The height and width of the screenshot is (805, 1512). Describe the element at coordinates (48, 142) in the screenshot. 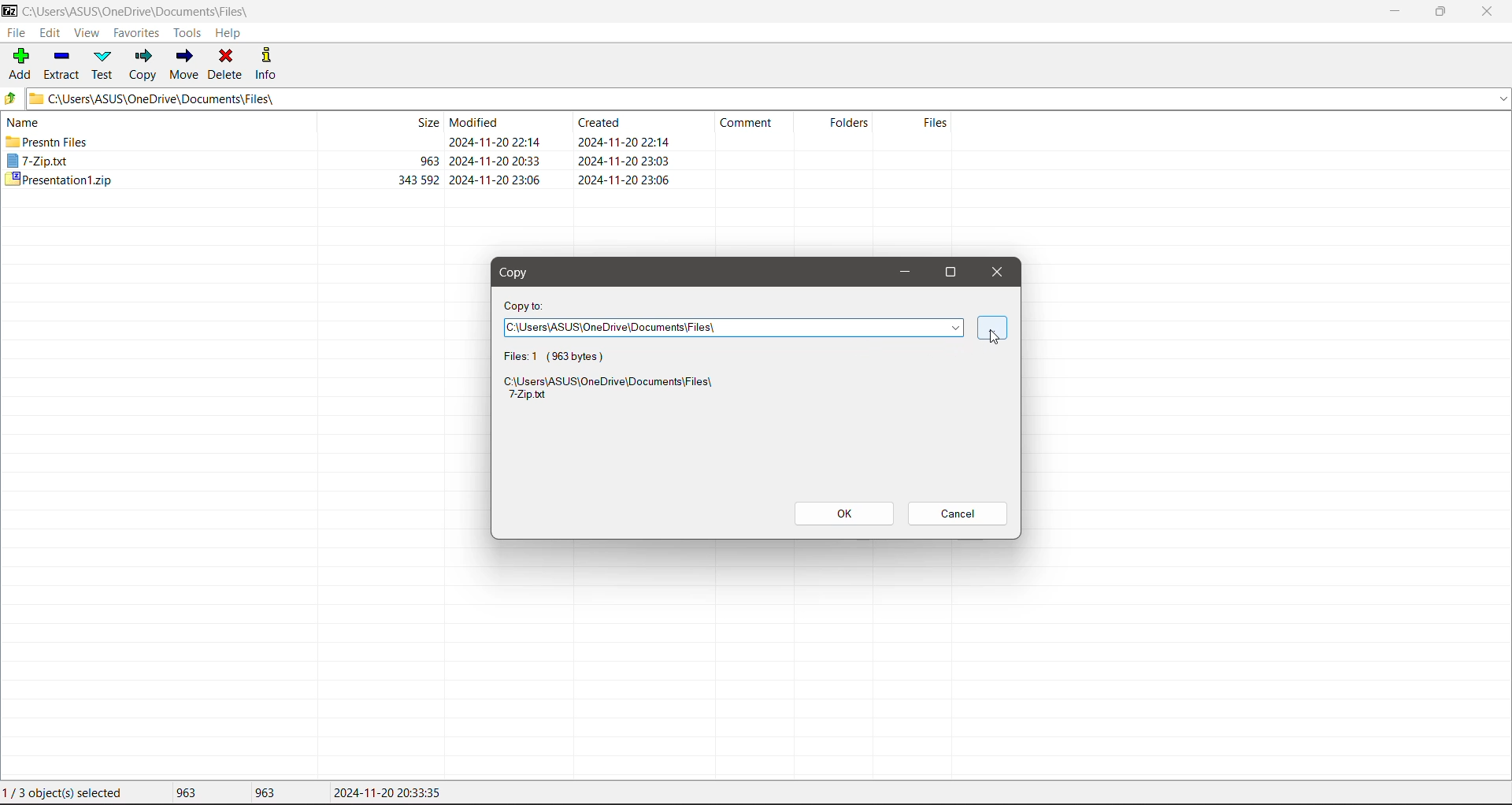

I see `Presntn Files` at that location.